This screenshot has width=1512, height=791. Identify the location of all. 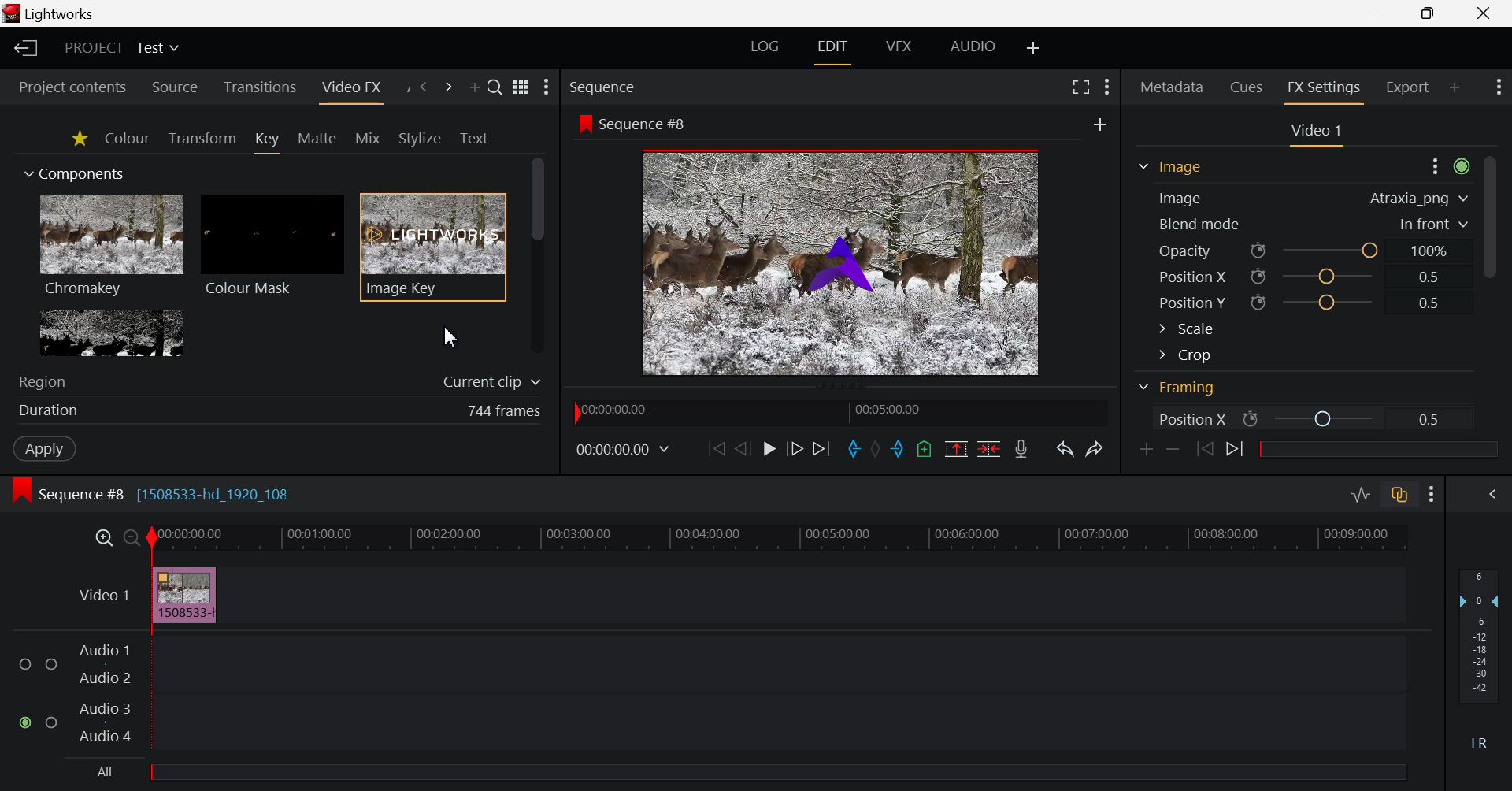
(109, 769).